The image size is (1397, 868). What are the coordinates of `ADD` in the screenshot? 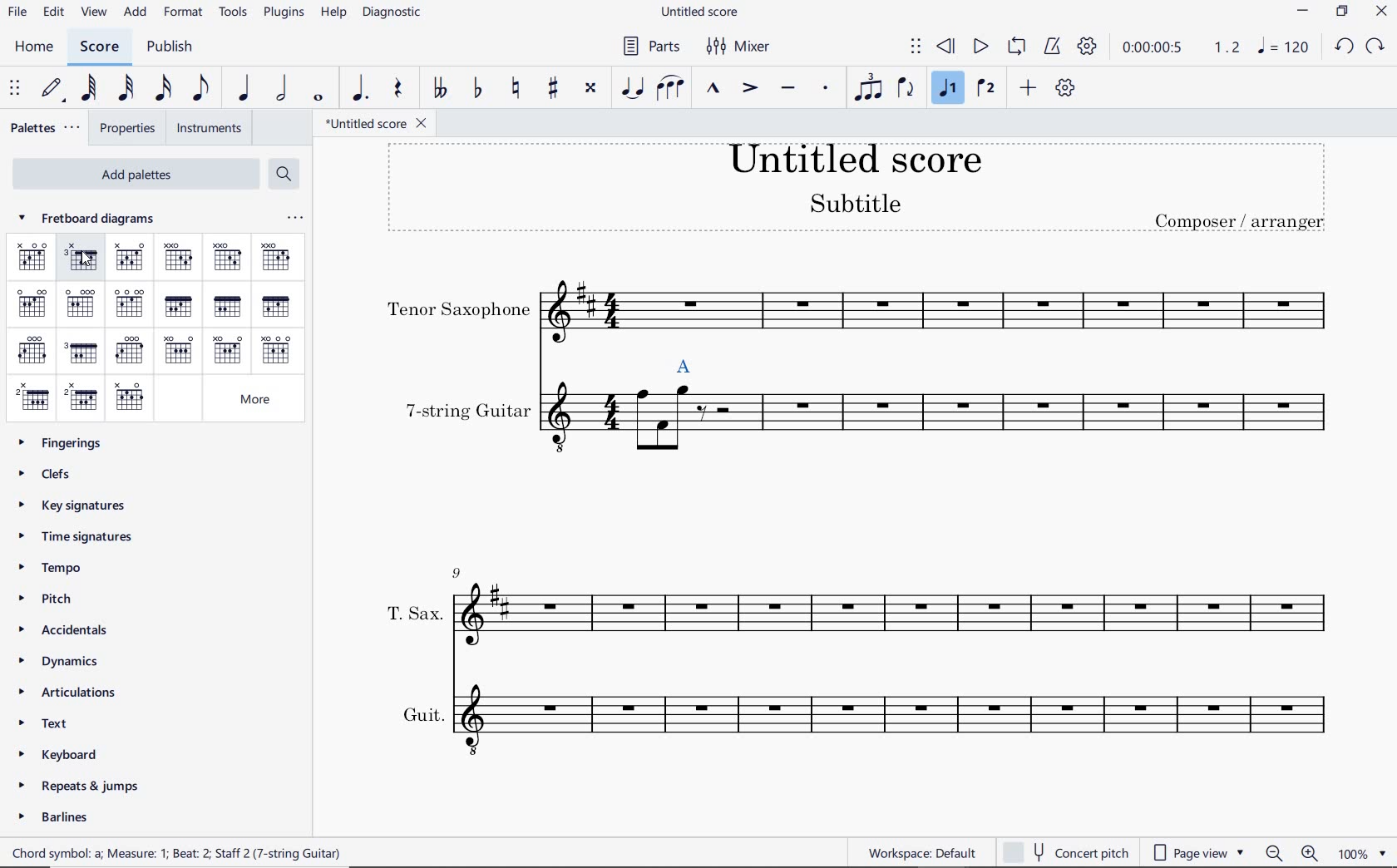 It's located at (1028, 88).